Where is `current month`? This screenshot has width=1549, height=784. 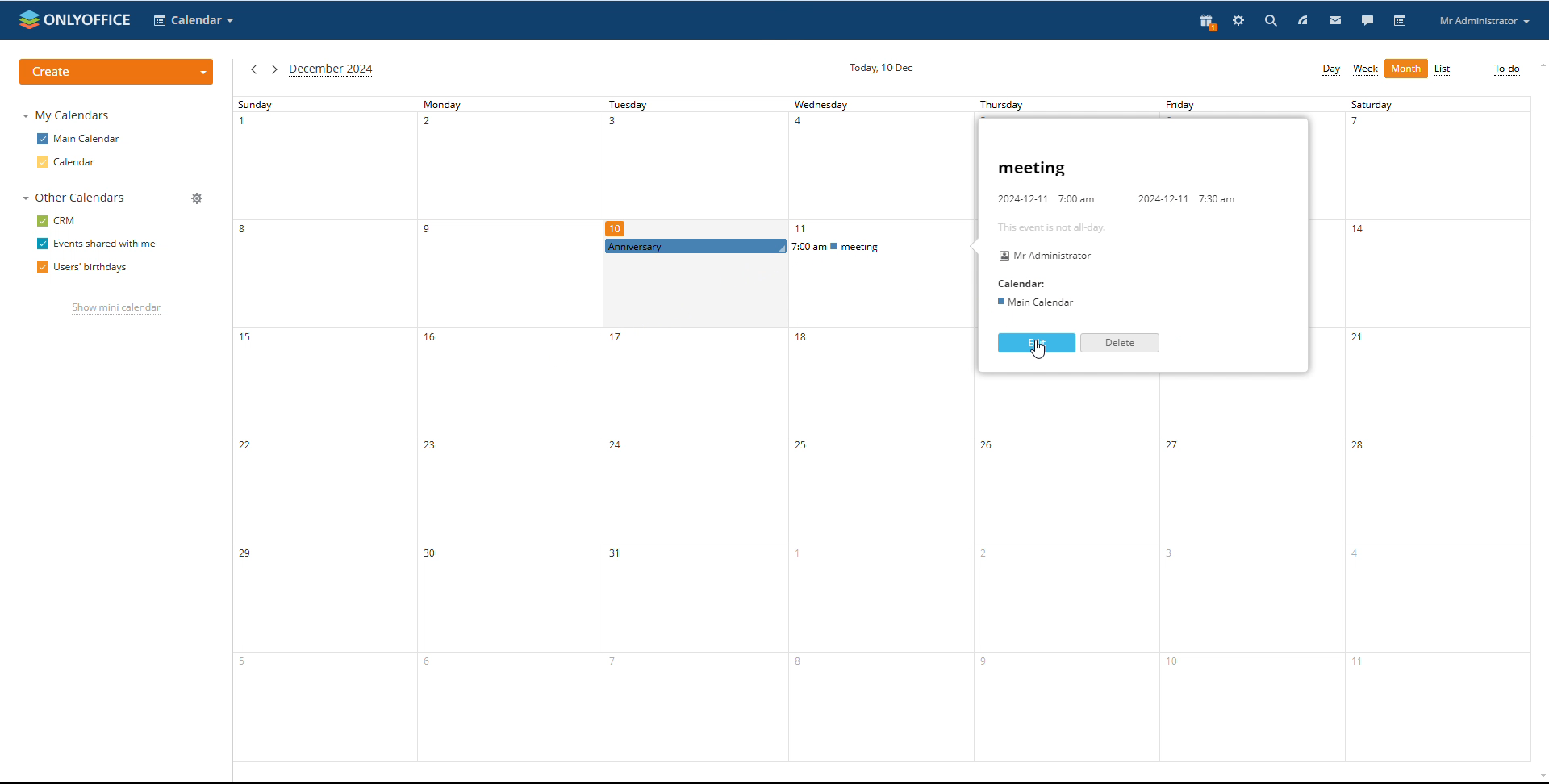 current month is located at coordinates (332, 70).